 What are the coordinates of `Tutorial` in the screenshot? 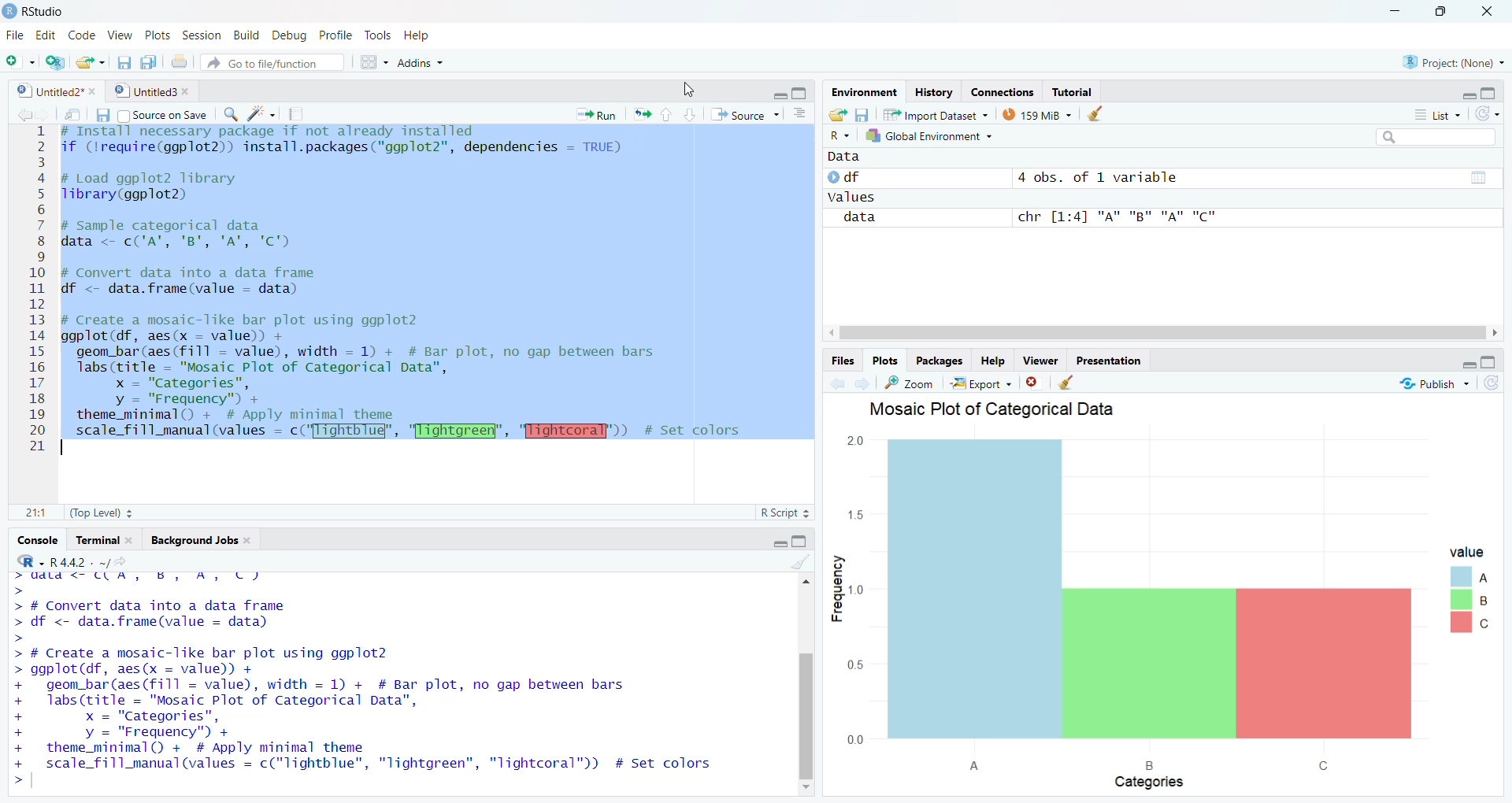 It's located at (1070, 92).